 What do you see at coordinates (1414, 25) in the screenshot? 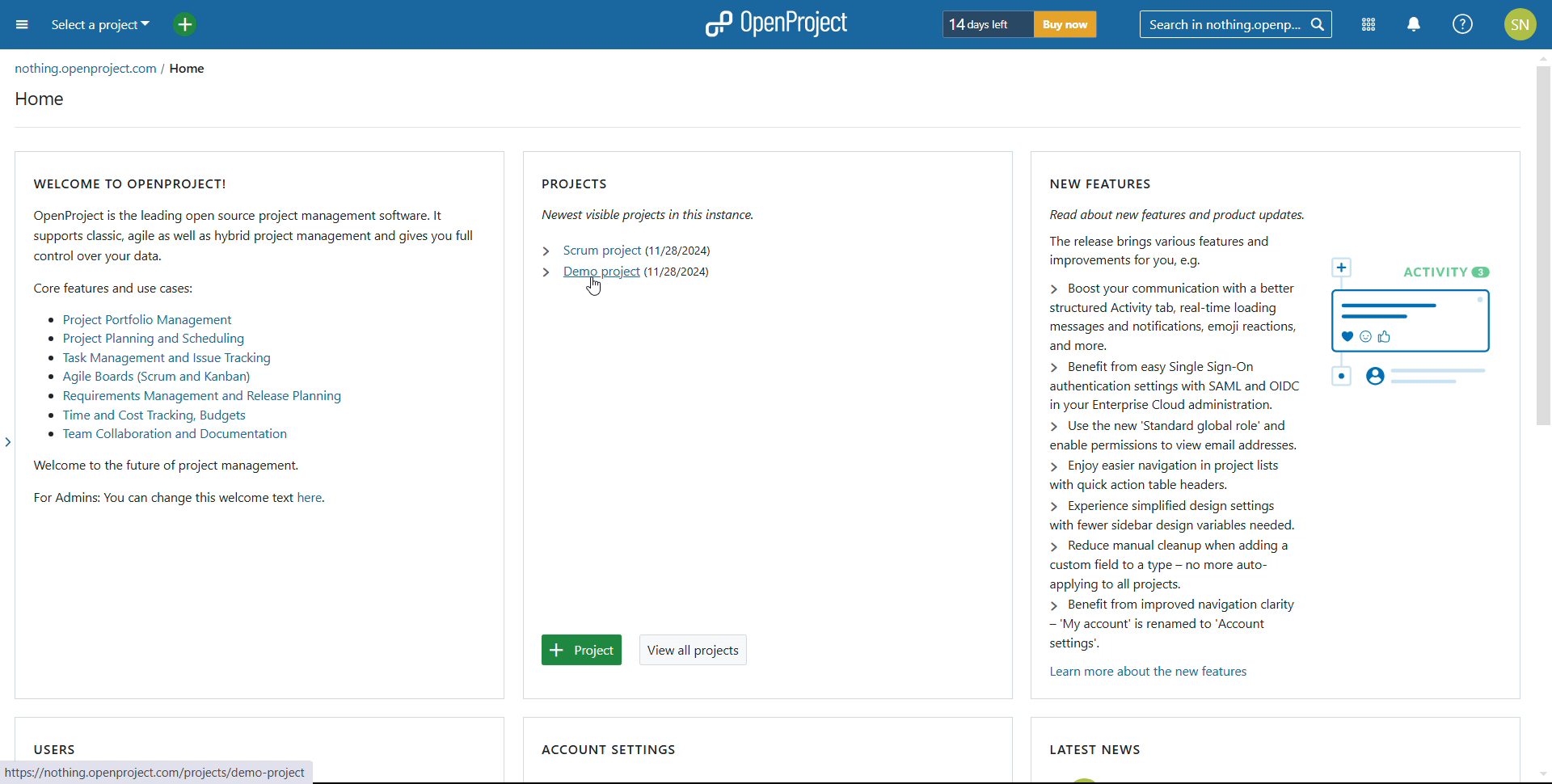
I see `notification` at bounding box center [1414, 25].